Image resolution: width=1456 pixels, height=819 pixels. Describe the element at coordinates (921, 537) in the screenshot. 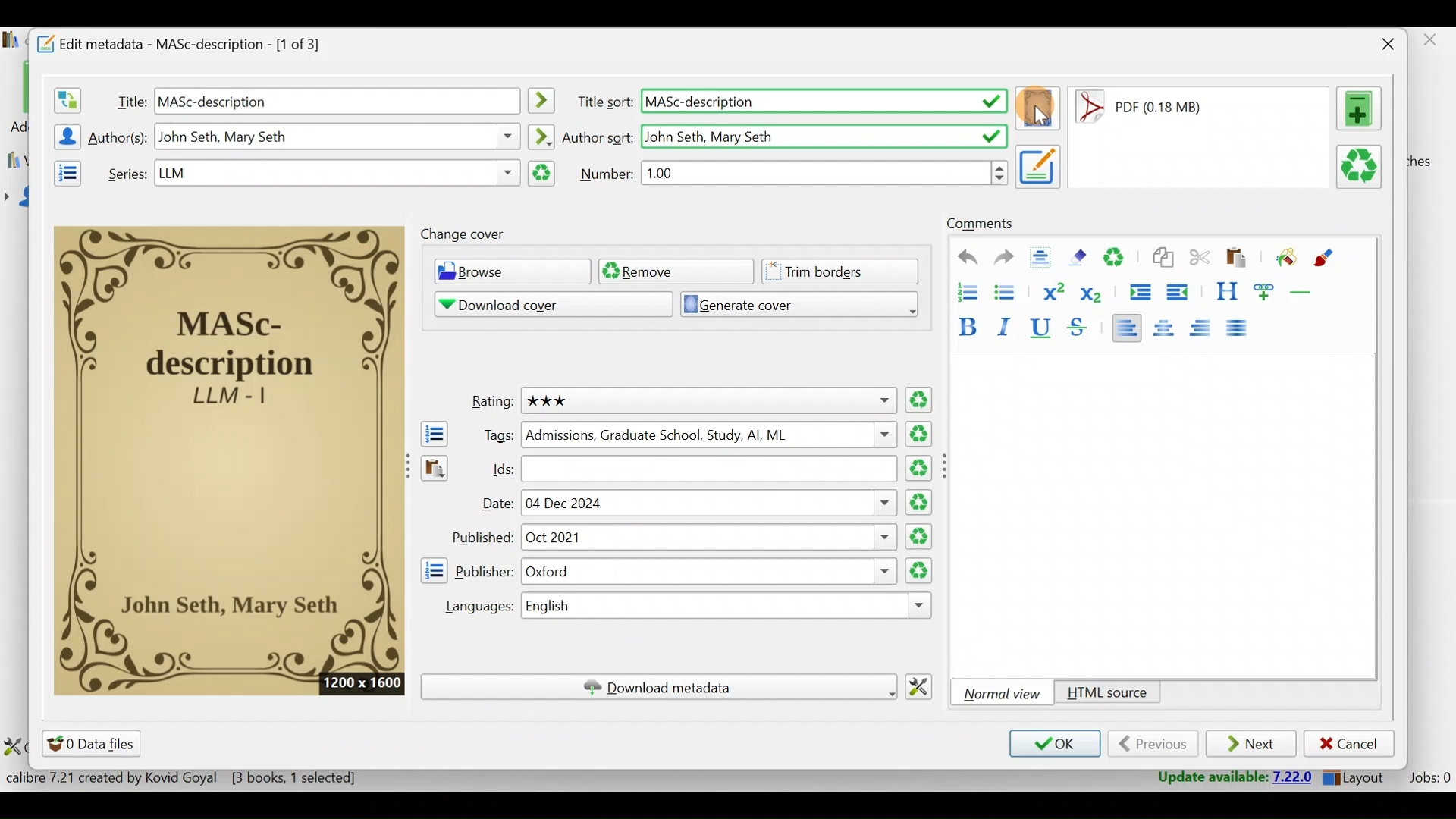

I see `Clear date` at that location.